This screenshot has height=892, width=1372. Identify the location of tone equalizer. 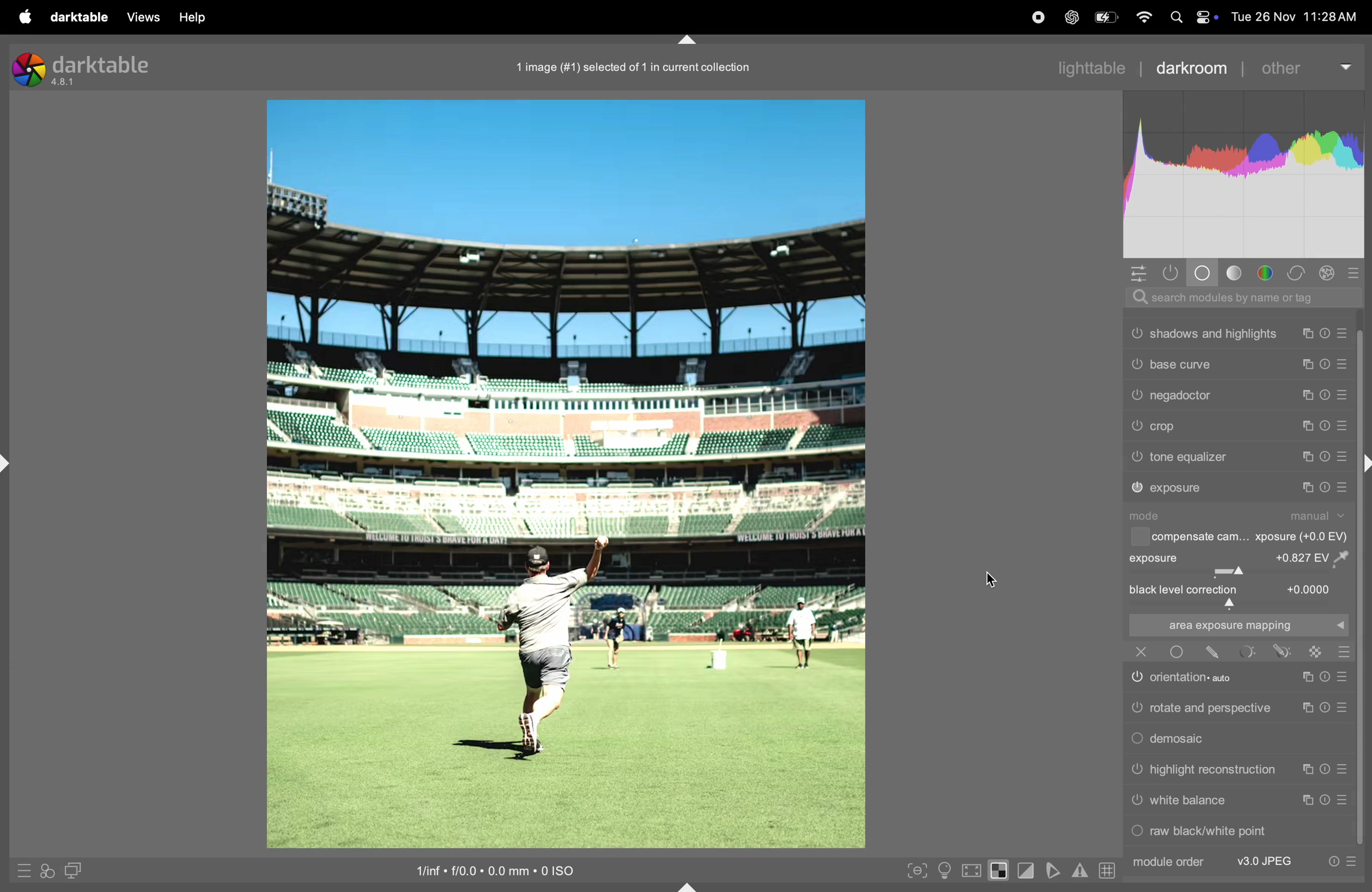
(1190, 457).